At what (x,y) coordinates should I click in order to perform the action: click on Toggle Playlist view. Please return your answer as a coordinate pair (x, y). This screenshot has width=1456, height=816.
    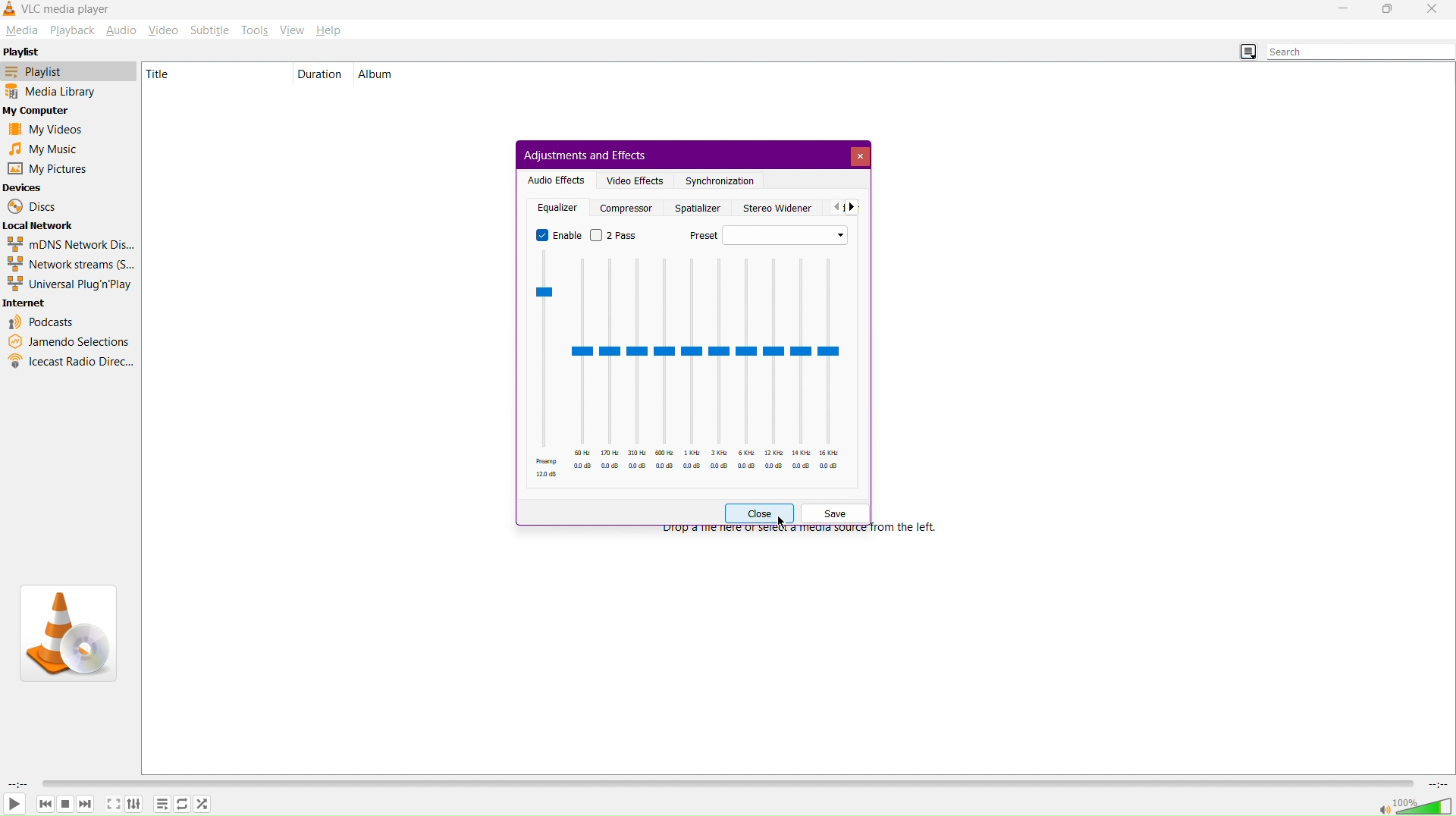
    Looking at the image, I should click on (1245, 52).